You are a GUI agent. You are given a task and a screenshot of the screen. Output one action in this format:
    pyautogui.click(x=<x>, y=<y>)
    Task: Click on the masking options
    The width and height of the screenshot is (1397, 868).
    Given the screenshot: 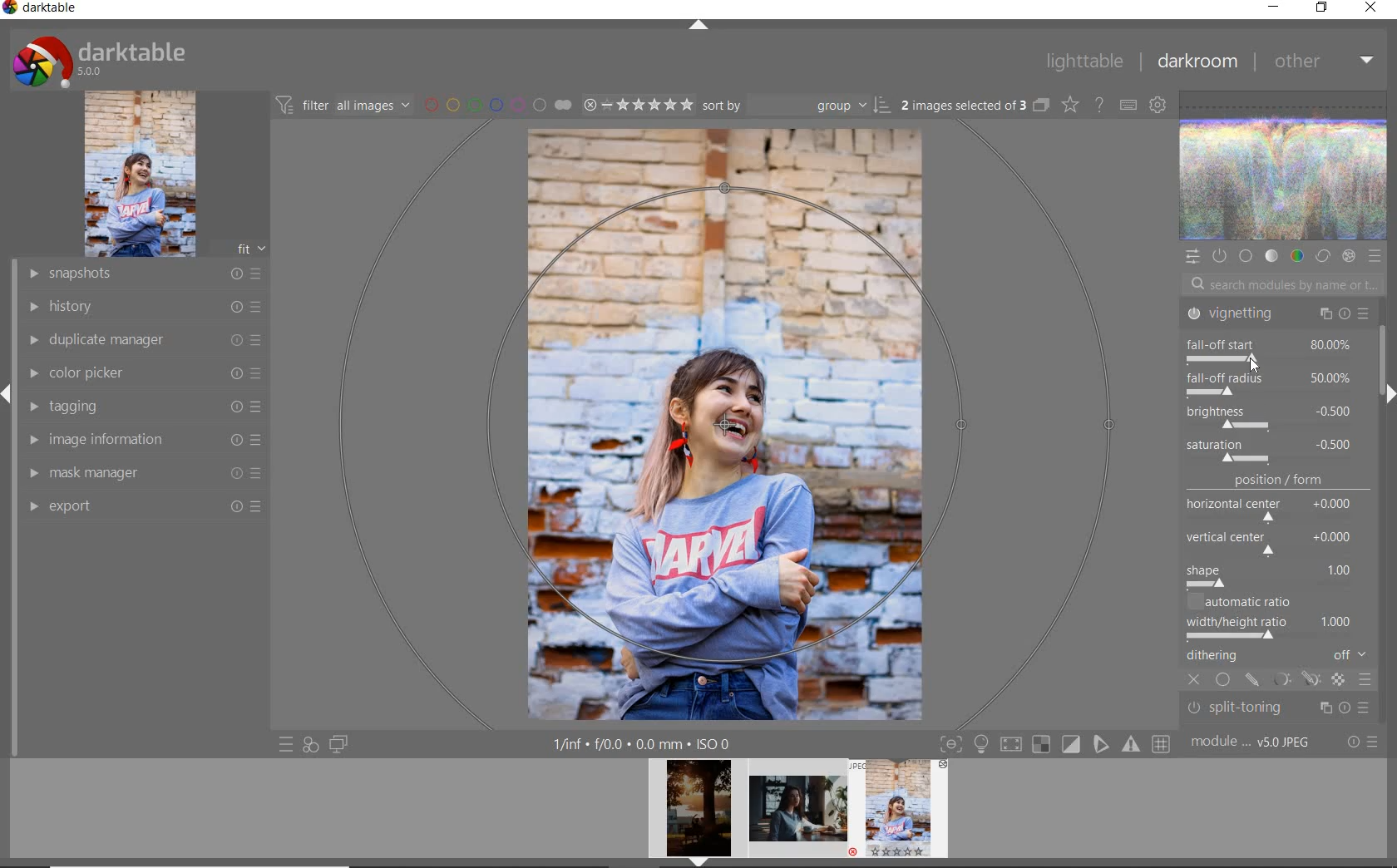 What is the action you would take?
    pyautogui.click(x=1295, y=682)
    